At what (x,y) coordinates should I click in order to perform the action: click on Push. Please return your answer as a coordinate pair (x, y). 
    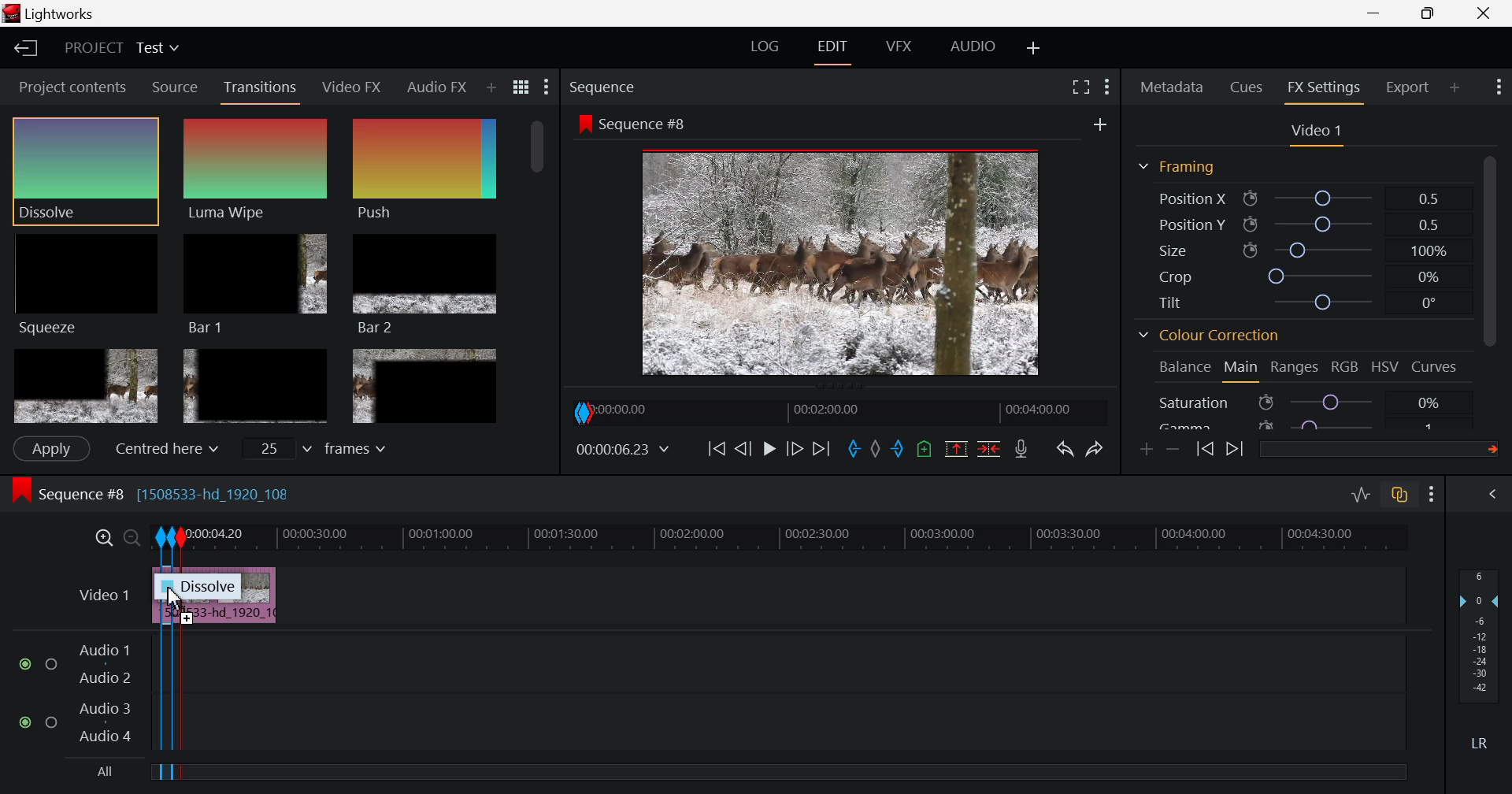
    Looking at the image, I should click on (424, 169).